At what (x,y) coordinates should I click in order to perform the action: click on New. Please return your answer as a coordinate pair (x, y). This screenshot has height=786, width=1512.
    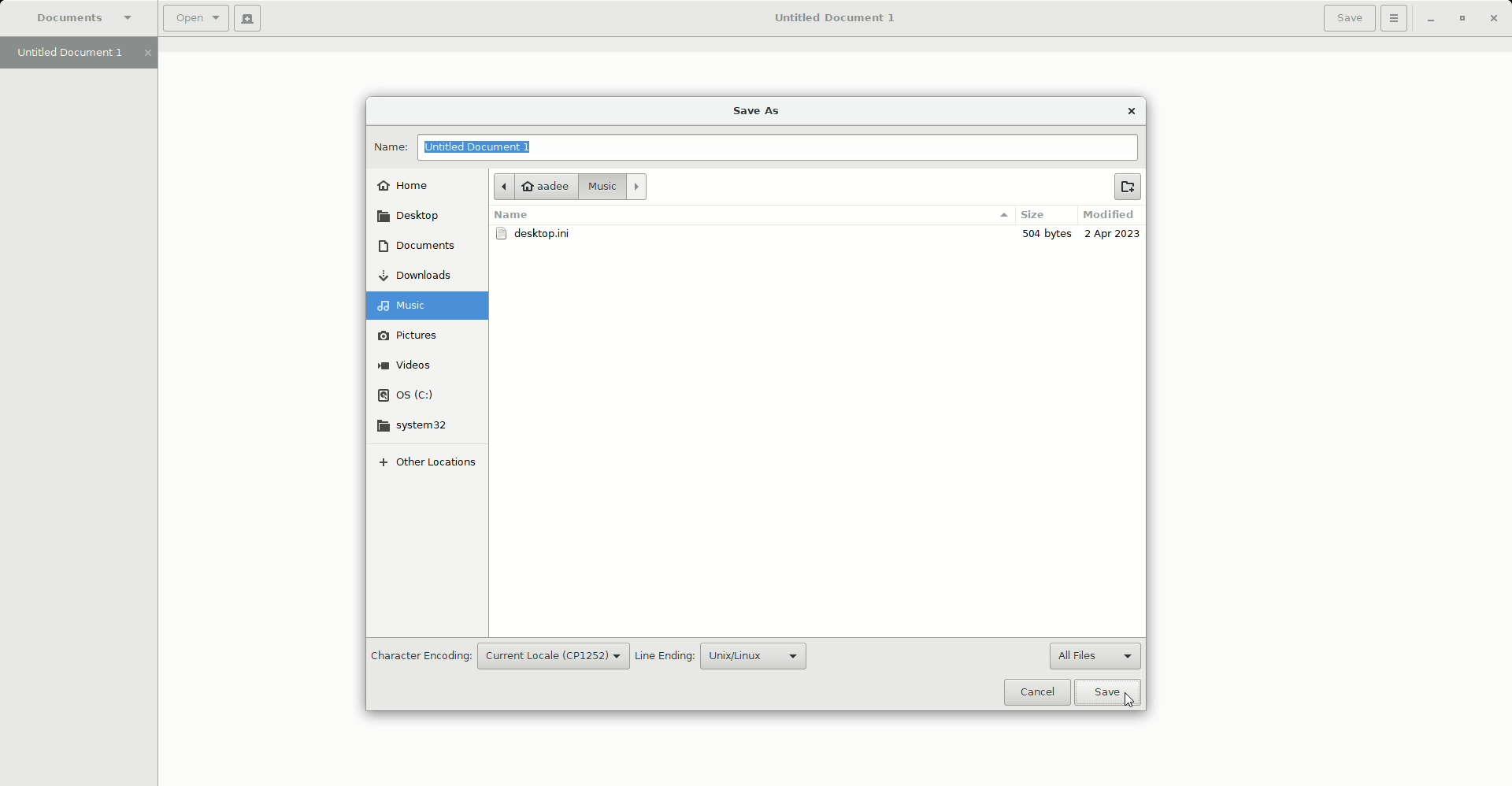
    Looking at the image, I should click on (1127, 187).